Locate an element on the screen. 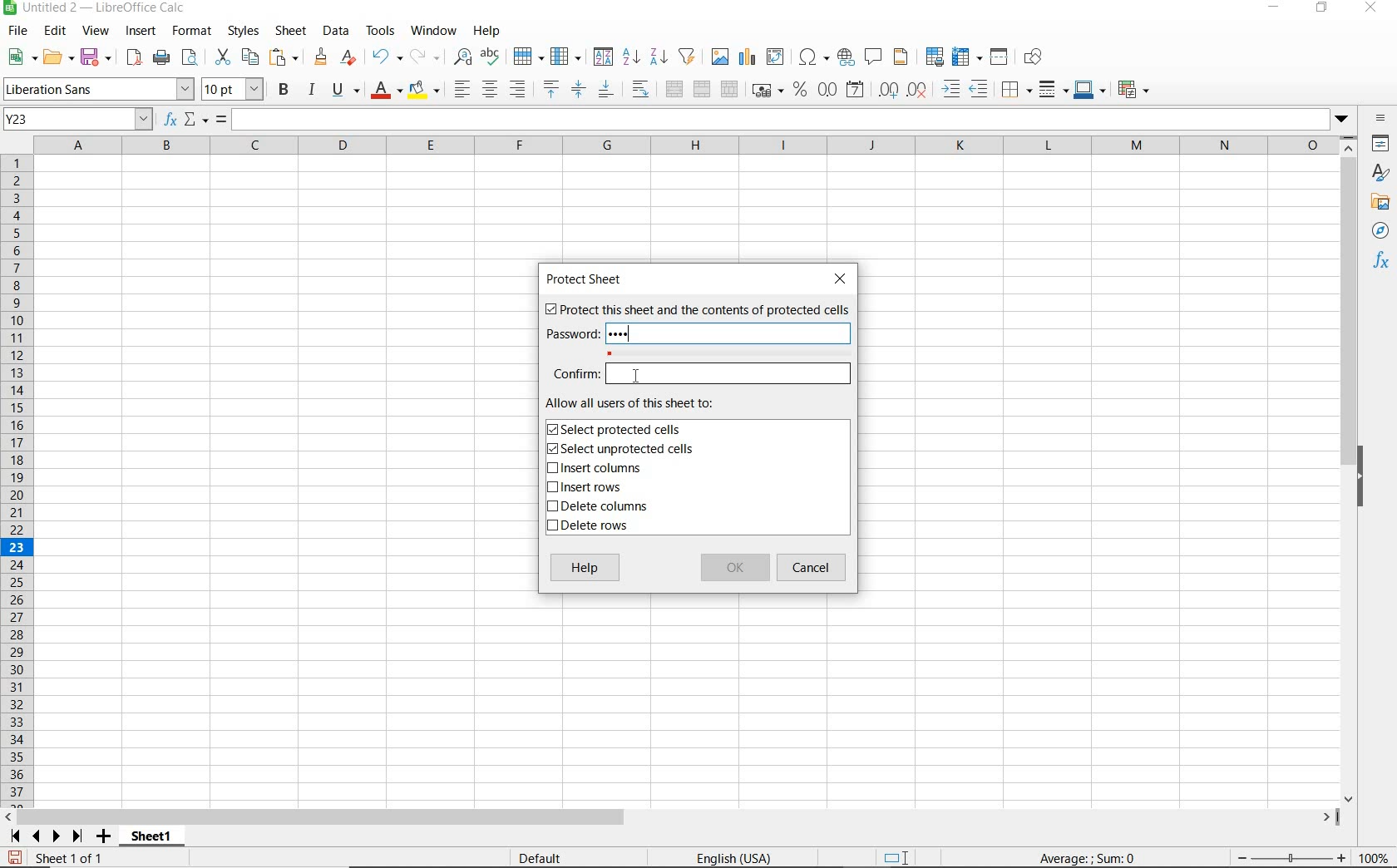 The width and height of the screenshot is (1397, 868). password is located at coordinates (570, 334).